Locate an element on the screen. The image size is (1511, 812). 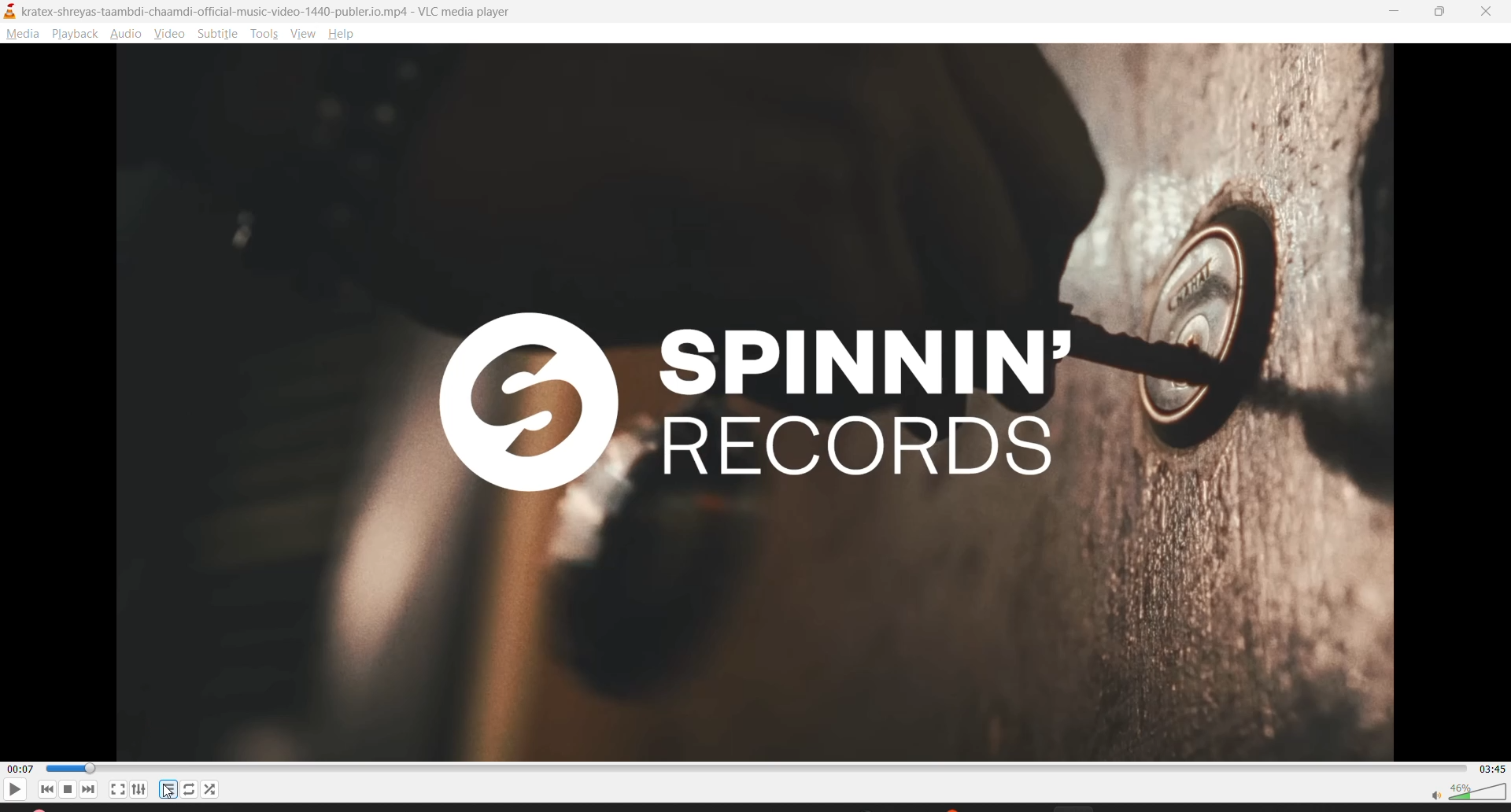
tools is located at coordinates (265, 35).